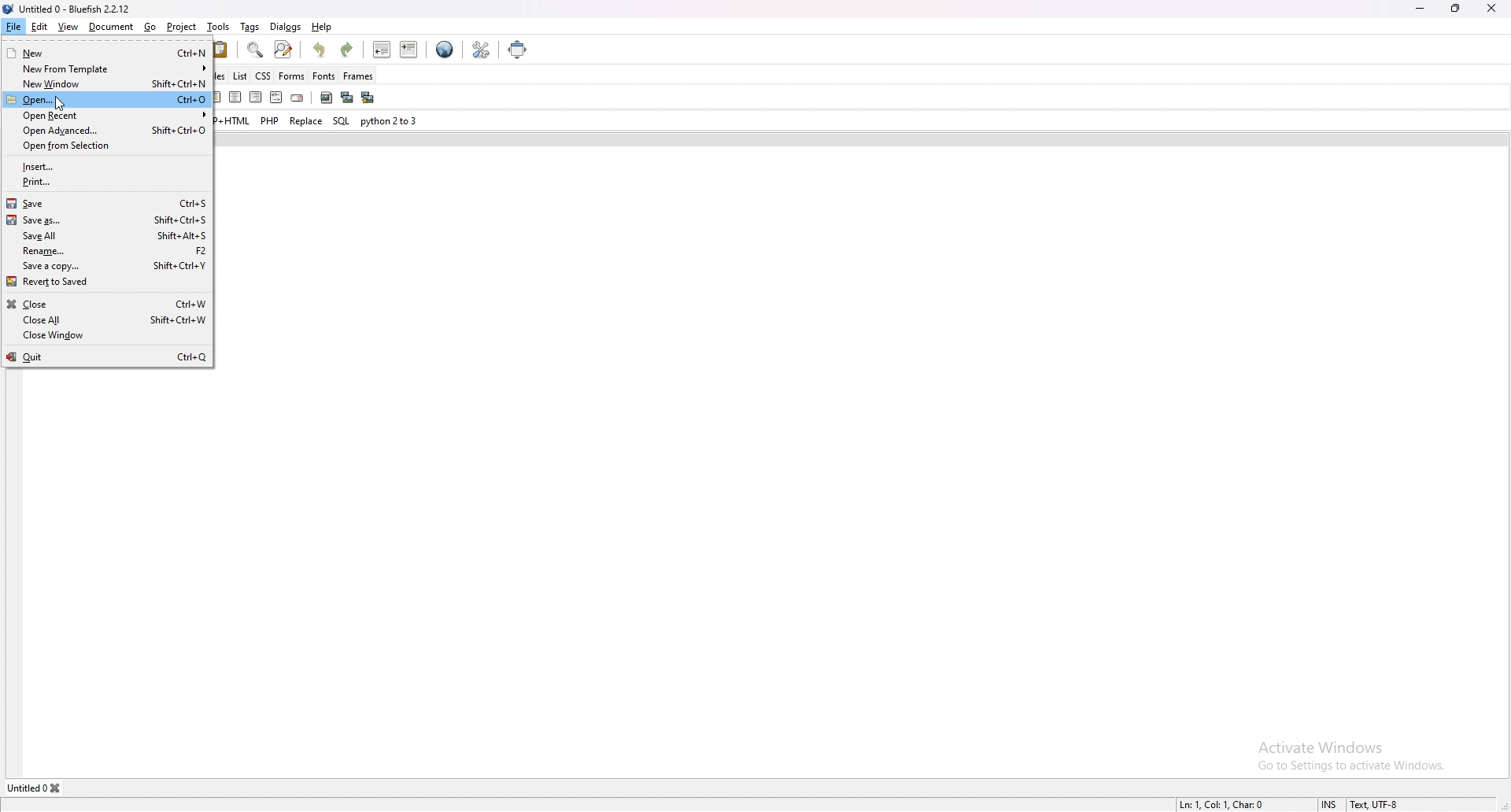 The height and width of the screenshot is (812, 1511). What do you see at coordinates (410, 49) in the screenshot?
I see `indent` at bounding box center [410, 49].